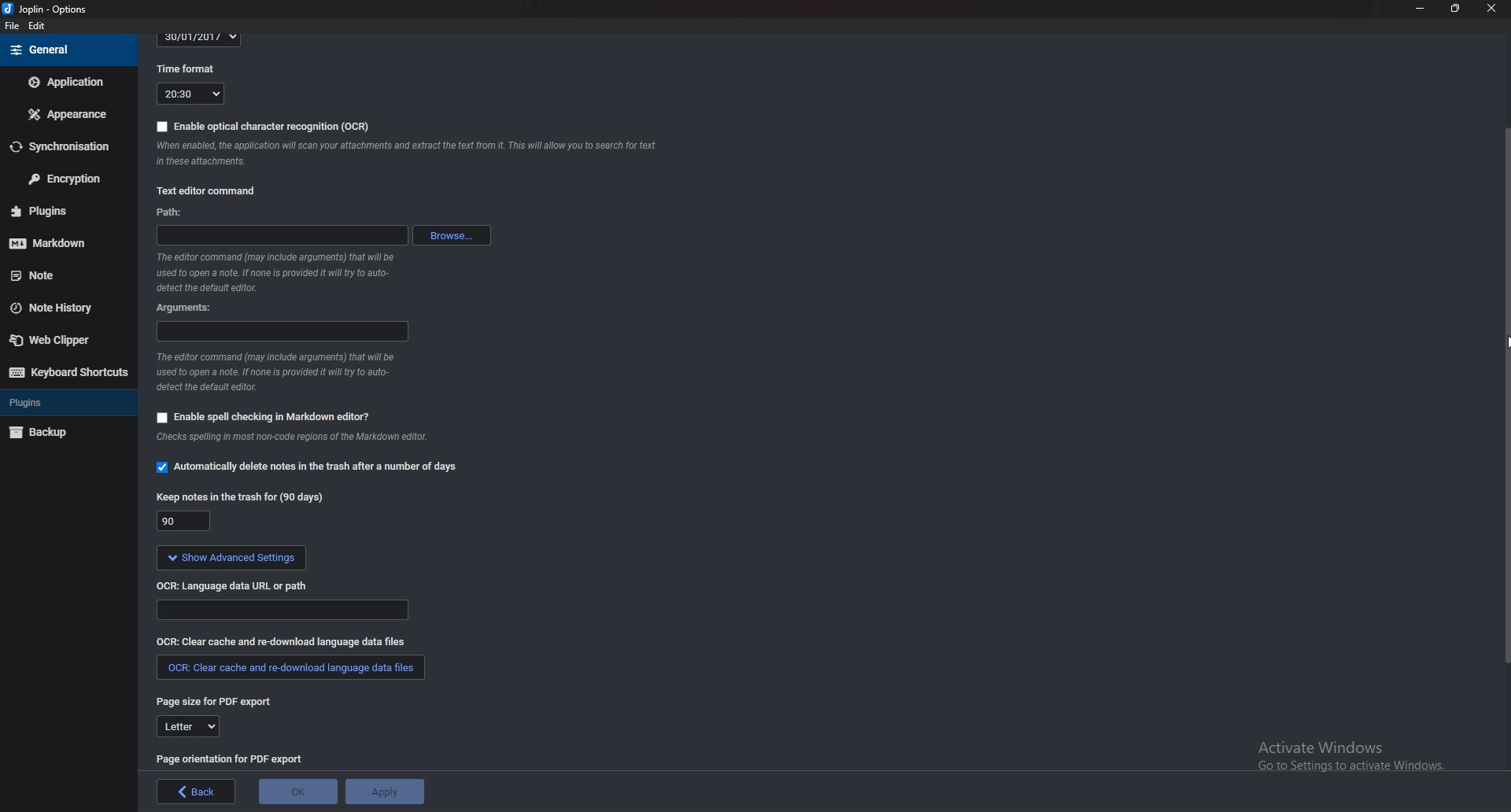 The width and height of the screenshot is (1511, 812). What do you see at coordinates (200, 39) in the screenshot?
I see `30/01/2017` at bounding box center [200, 39].